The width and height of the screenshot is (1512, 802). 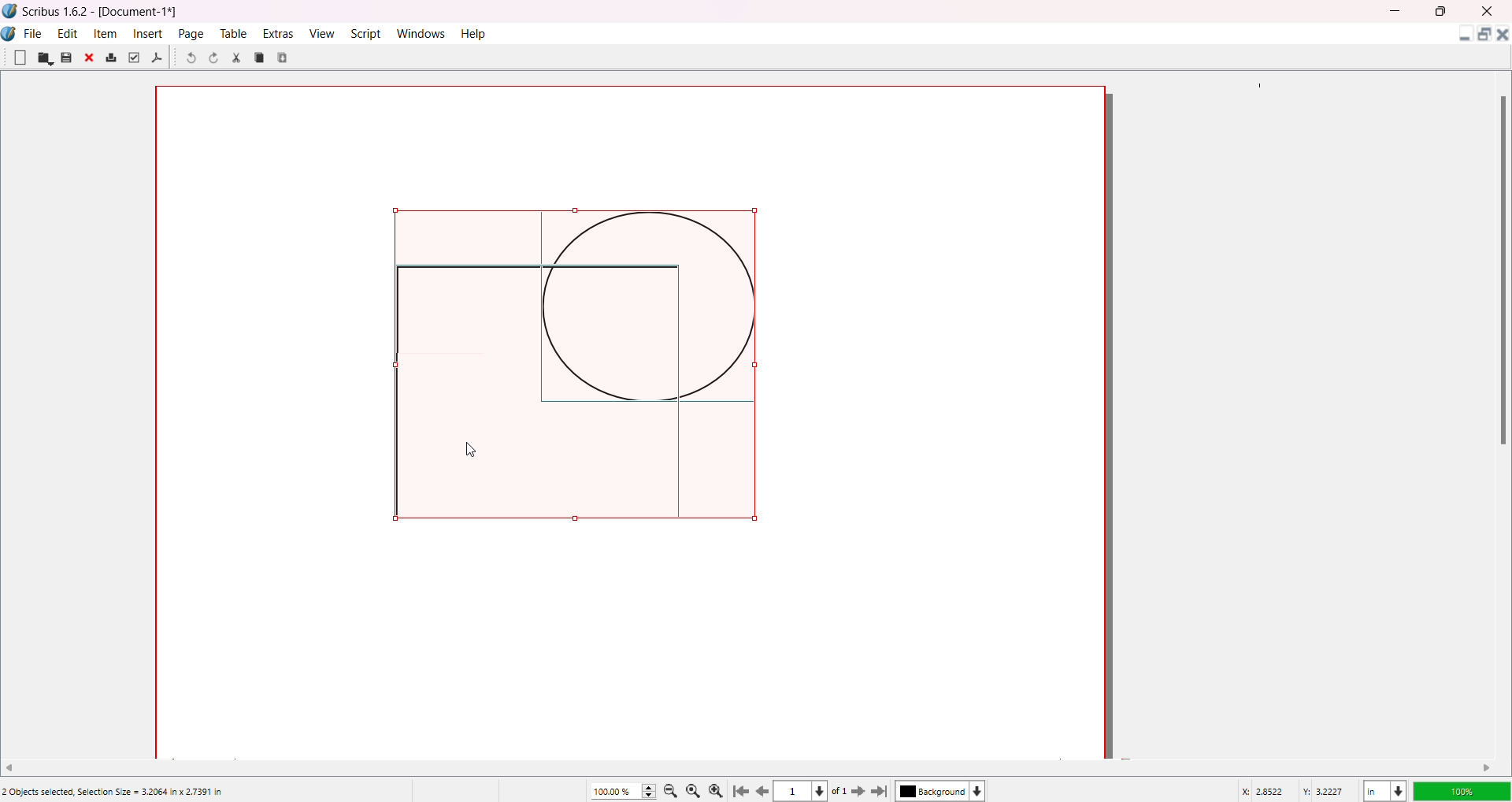 What do you see at coordinates (1398, 11) in the screenshot?
I see `MInimize` at bounding box center [1398, 11].